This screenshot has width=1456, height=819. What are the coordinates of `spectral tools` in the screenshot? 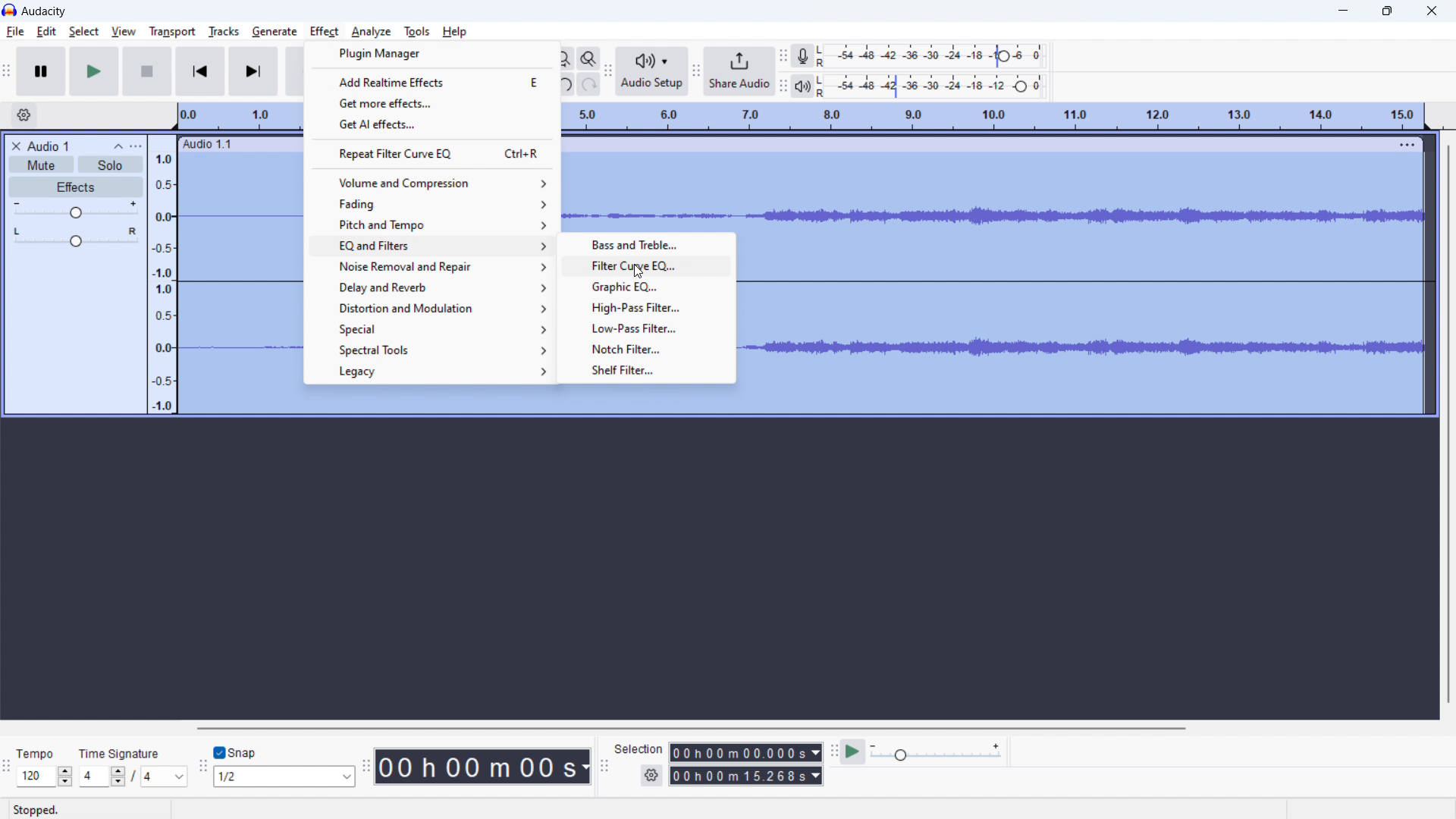 It's located at (429, 350).